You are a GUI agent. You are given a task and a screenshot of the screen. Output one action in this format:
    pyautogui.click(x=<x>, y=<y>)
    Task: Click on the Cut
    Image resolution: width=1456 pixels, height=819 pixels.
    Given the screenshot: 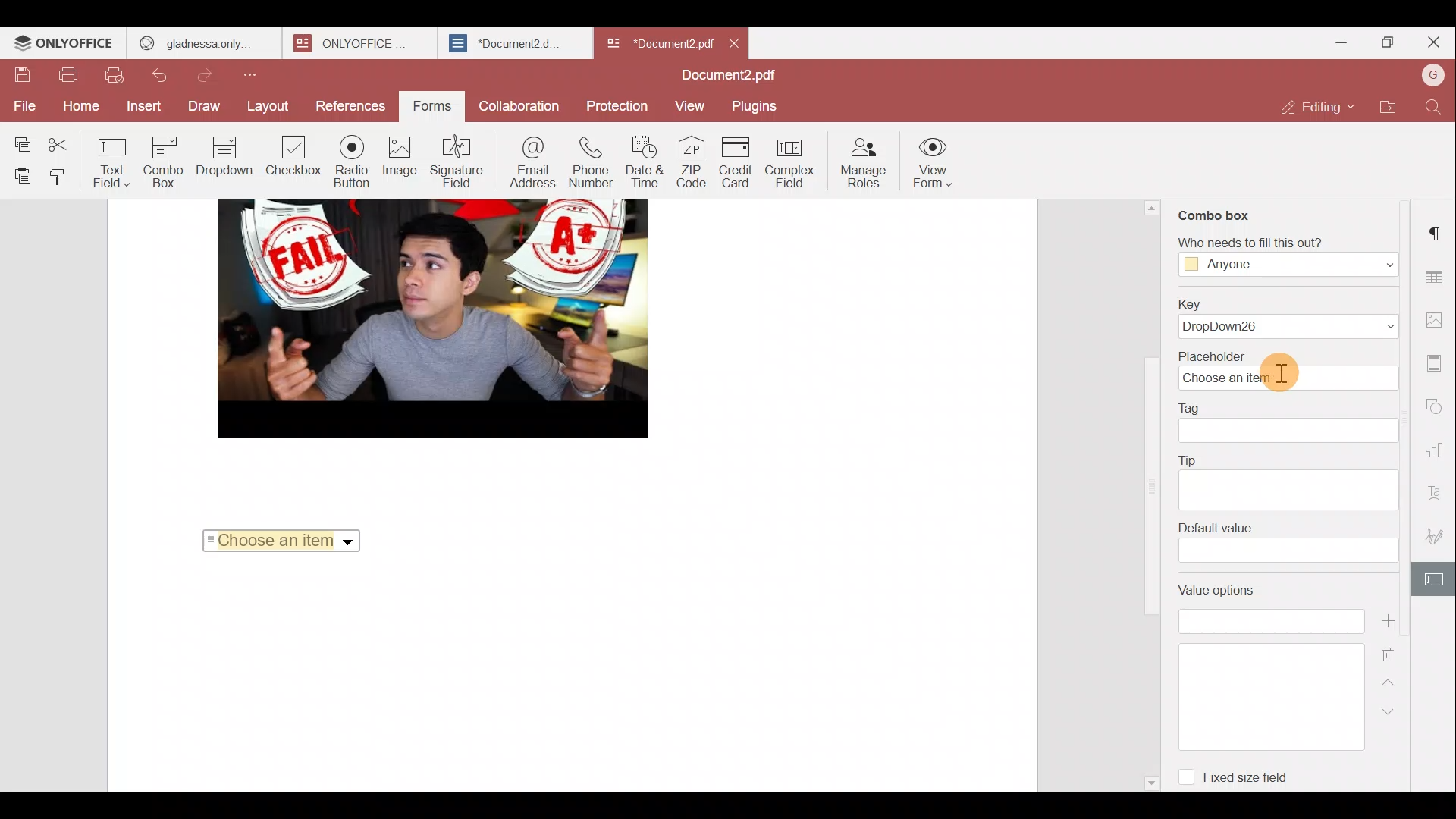 What is the action you would take?
    pyautogui.click(x=70, y=142)
    